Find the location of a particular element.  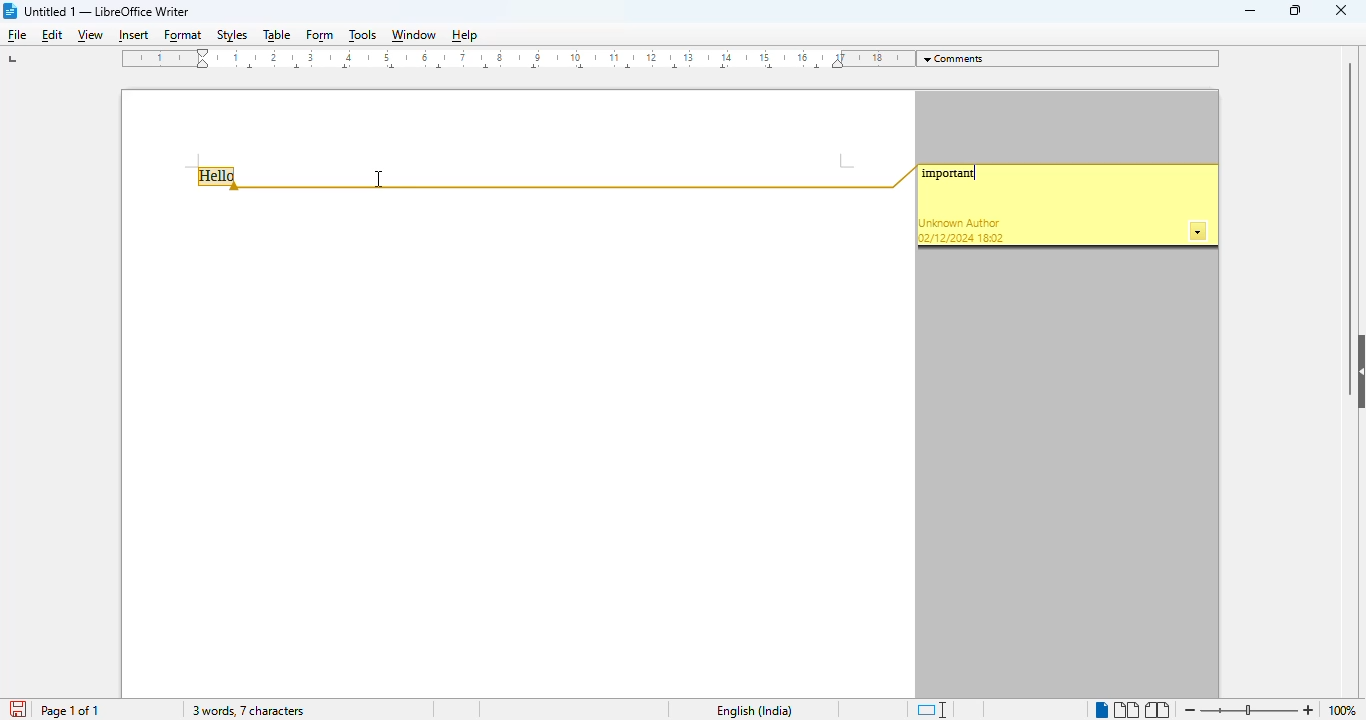

edit is located at coordinates (53, 35).